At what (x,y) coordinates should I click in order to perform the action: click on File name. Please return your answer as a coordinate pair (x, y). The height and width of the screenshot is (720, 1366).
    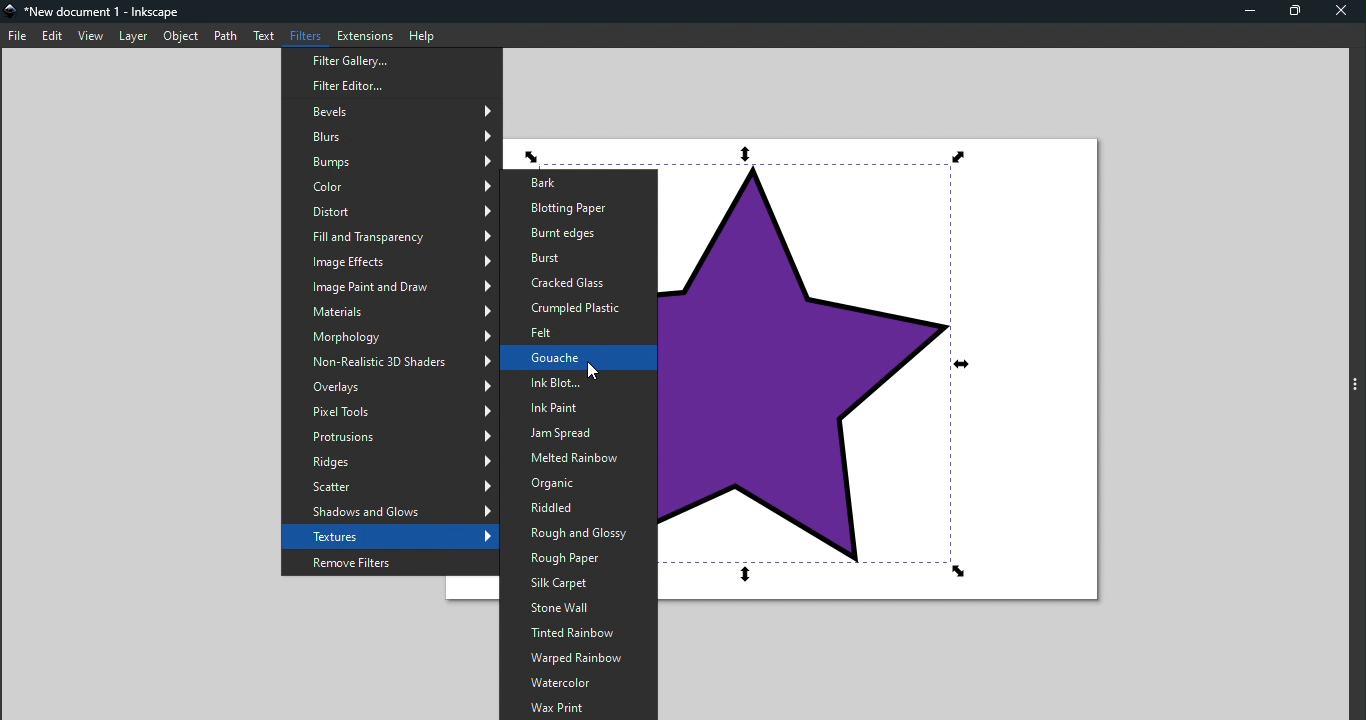
    Looking at the image, I should click on (96, 10).